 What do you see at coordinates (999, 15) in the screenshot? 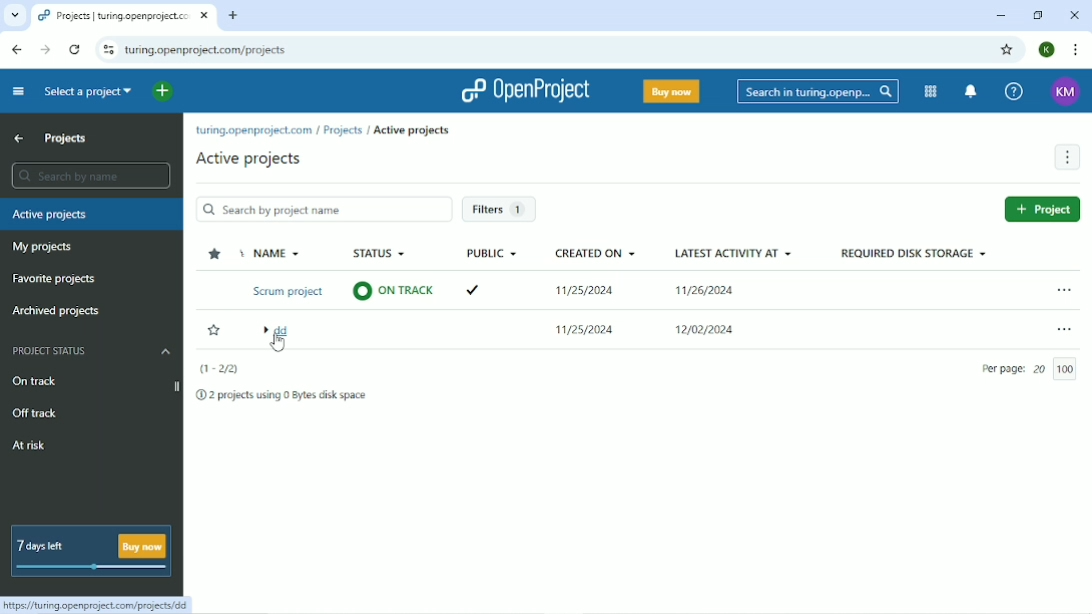
I see `Minimize` at bounding box center [999, 15].